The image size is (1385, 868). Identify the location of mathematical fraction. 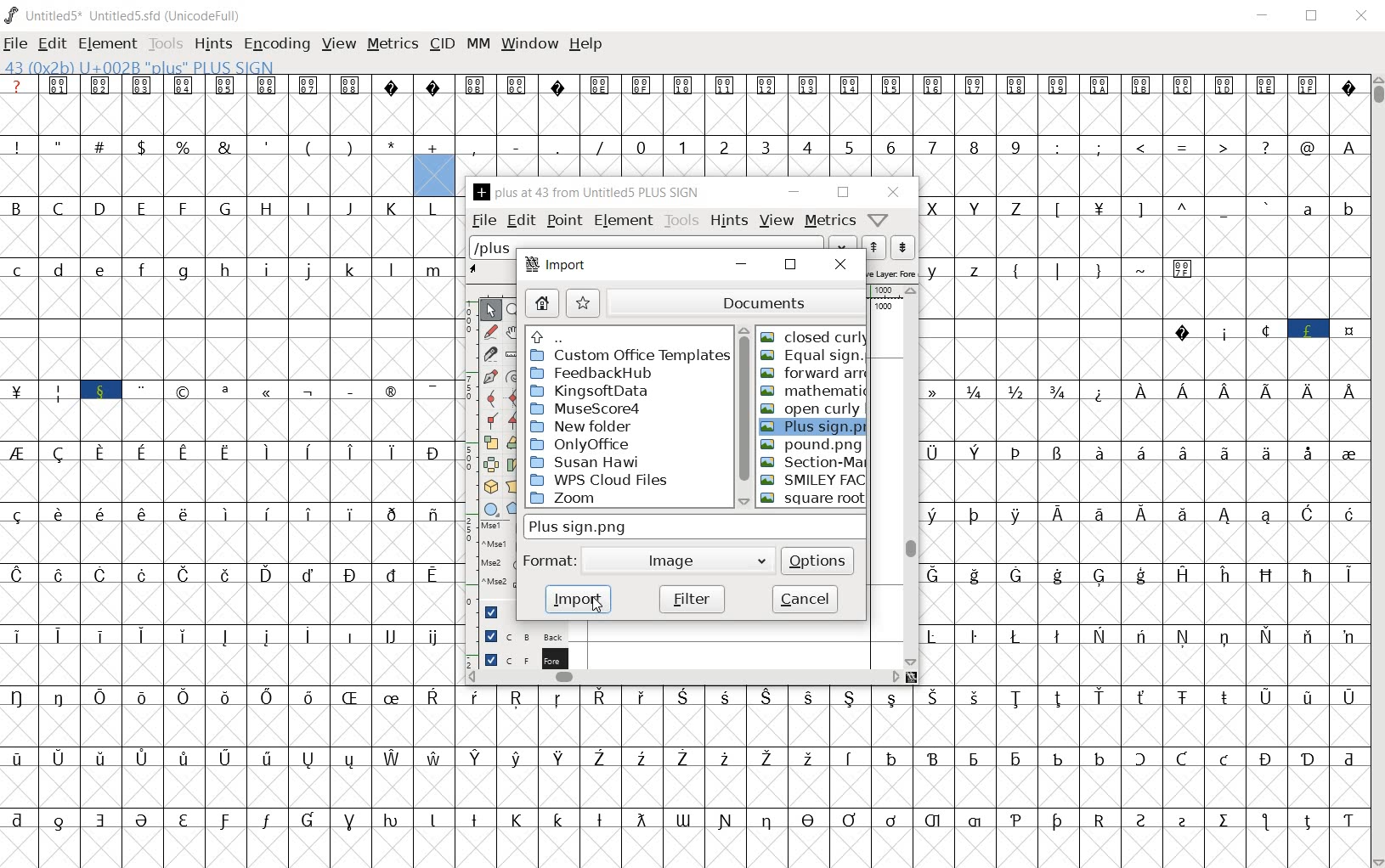
(1001, 410).